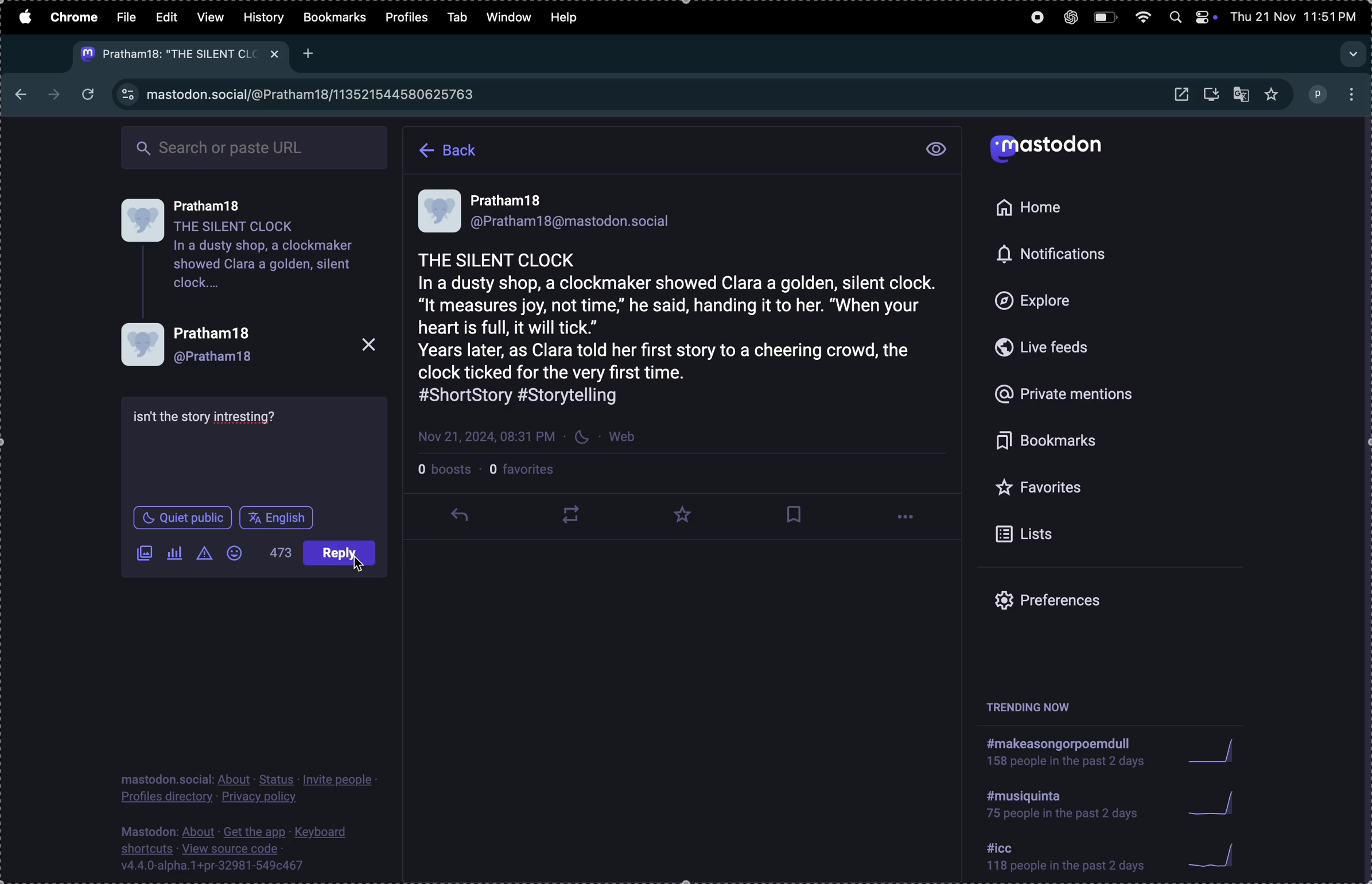 The height and width of the screenshot is (884, 1372). What do you see at coordinates (1296, 15) in the screenshot?
I see `date and time` at bounding box center [1296, 15].